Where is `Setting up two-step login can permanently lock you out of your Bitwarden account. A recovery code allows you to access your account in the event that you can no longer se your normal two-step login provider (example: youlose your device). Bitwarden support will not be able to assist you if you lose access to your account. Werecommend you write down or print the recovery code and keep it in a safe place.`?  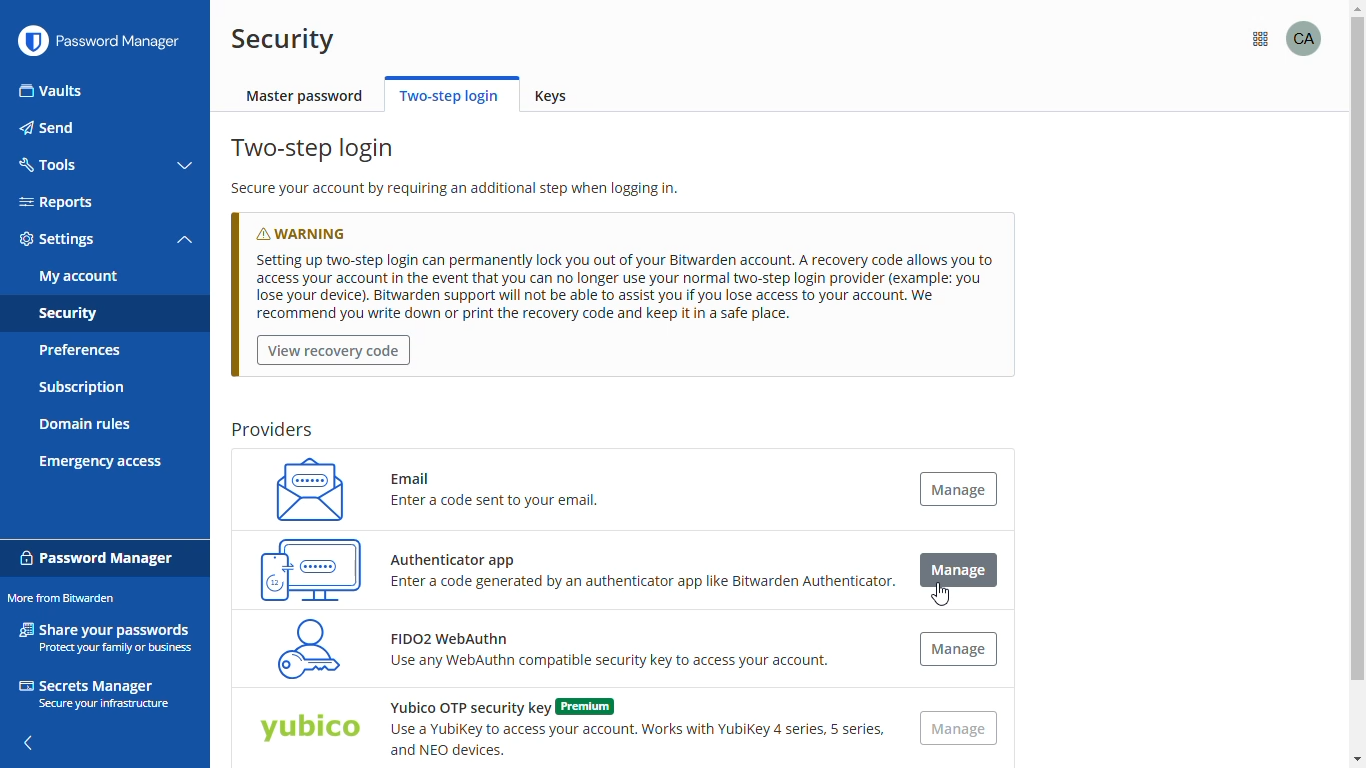
Setting up two-step login can permanently lock you out of your Bitwarden account. A recovery code allows you to access your account in the event that you can no longer se your normal two-step login provider (example: youlose your device). Bitwarden support will not be able to assist you if you lose access to your account. Werecommend you write down or print the recovery code and keep it in a safe place. is located at coordinates (618, 287).